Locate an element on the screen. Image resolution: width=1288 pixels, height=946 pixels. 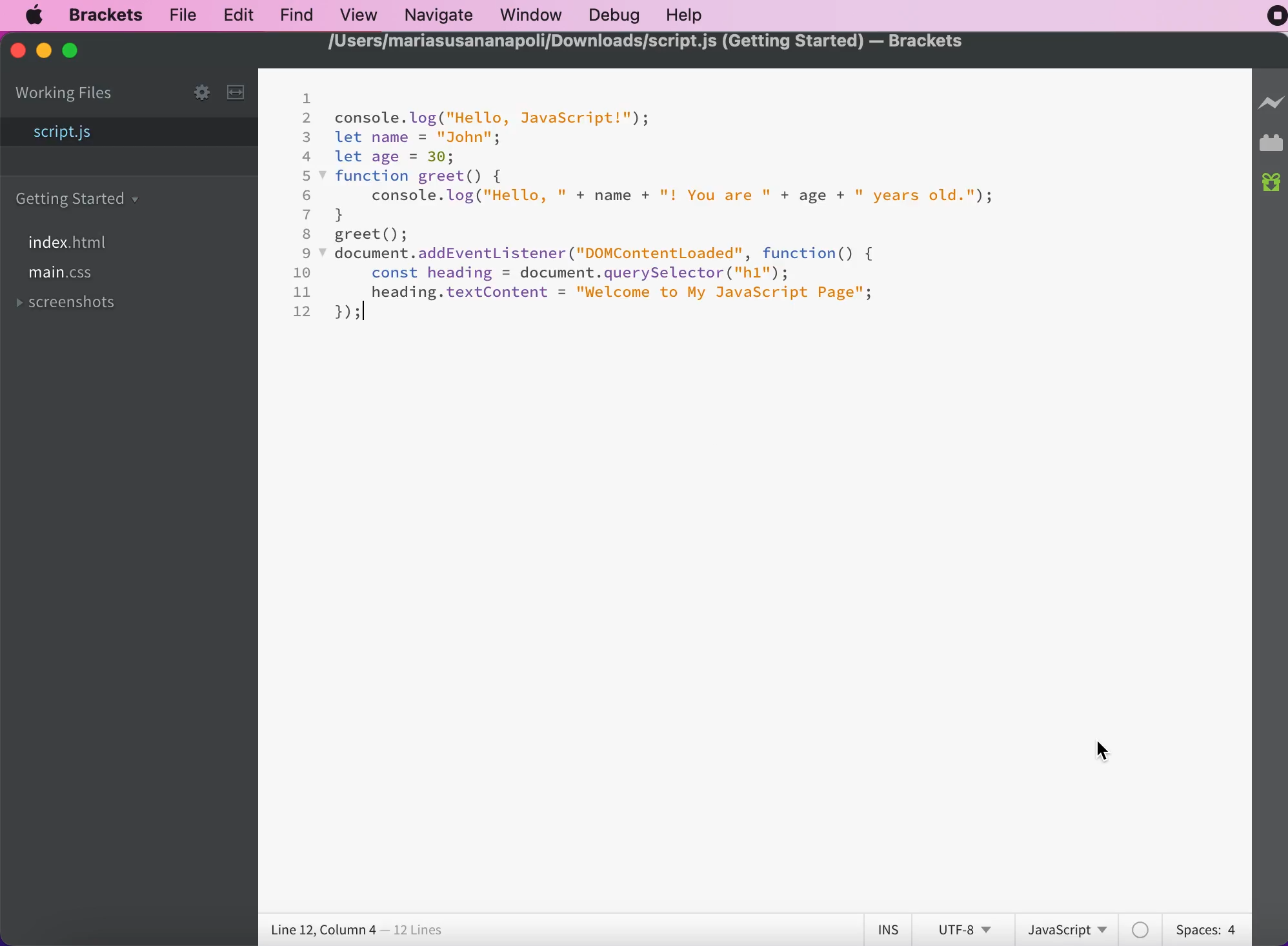
code fold is located at coordinates (324, 177).